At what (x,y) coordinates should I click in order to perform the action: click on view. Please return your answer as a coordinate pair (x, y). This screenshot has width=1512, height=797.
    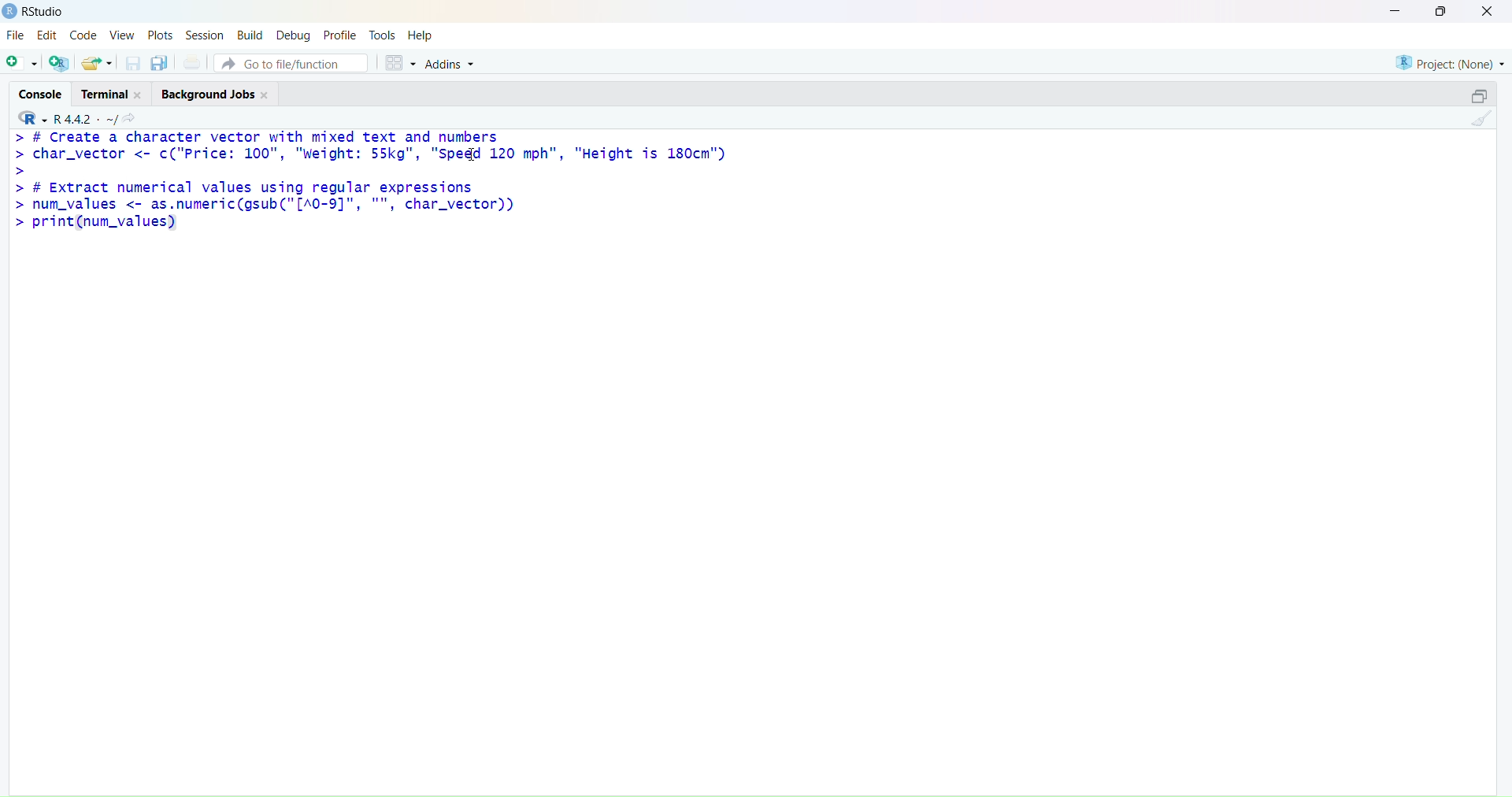
    Looking at the image, I should click on (122, 35).